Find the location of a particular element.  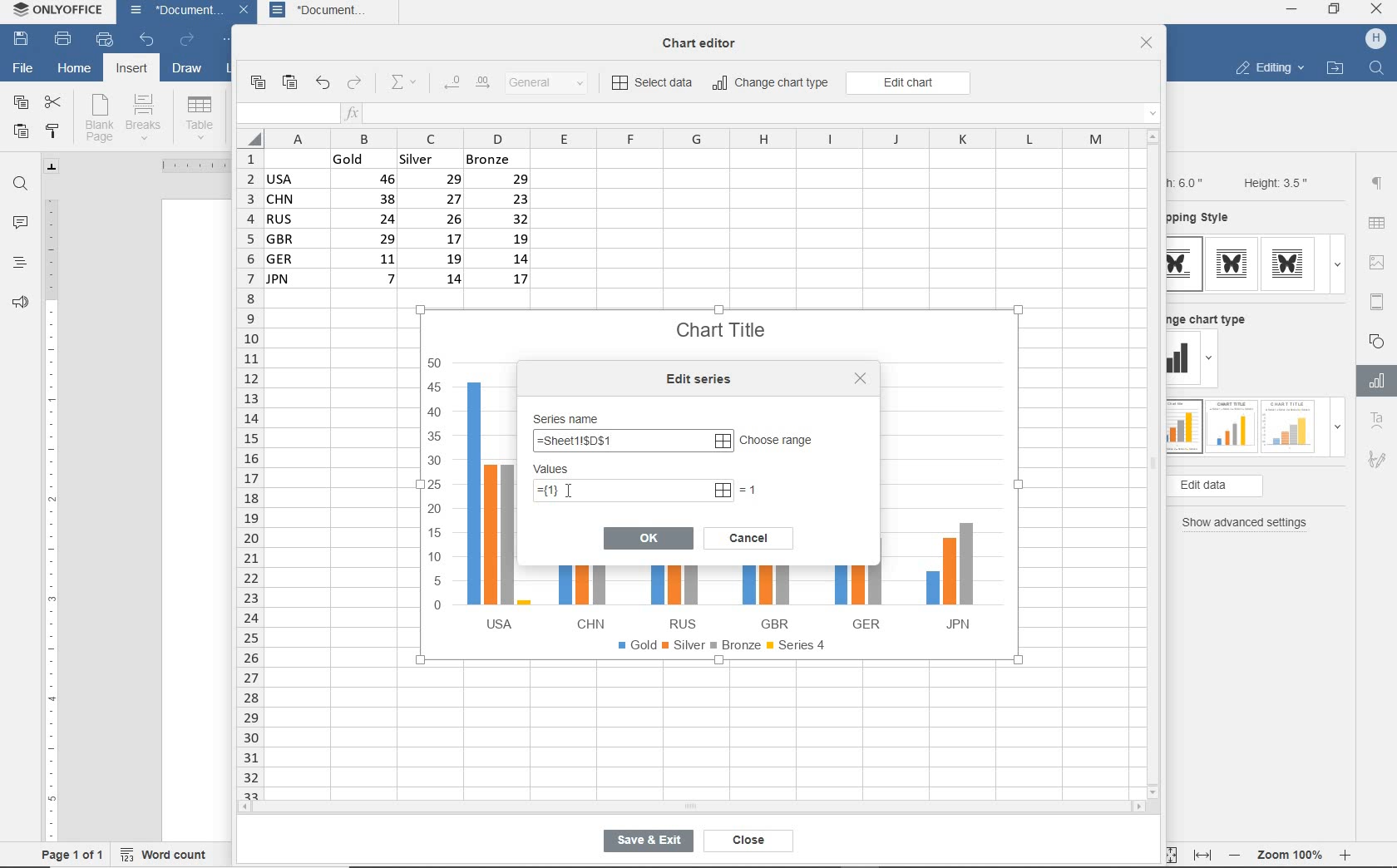

Width: 6.0" is located at coordinates (1188, 181).